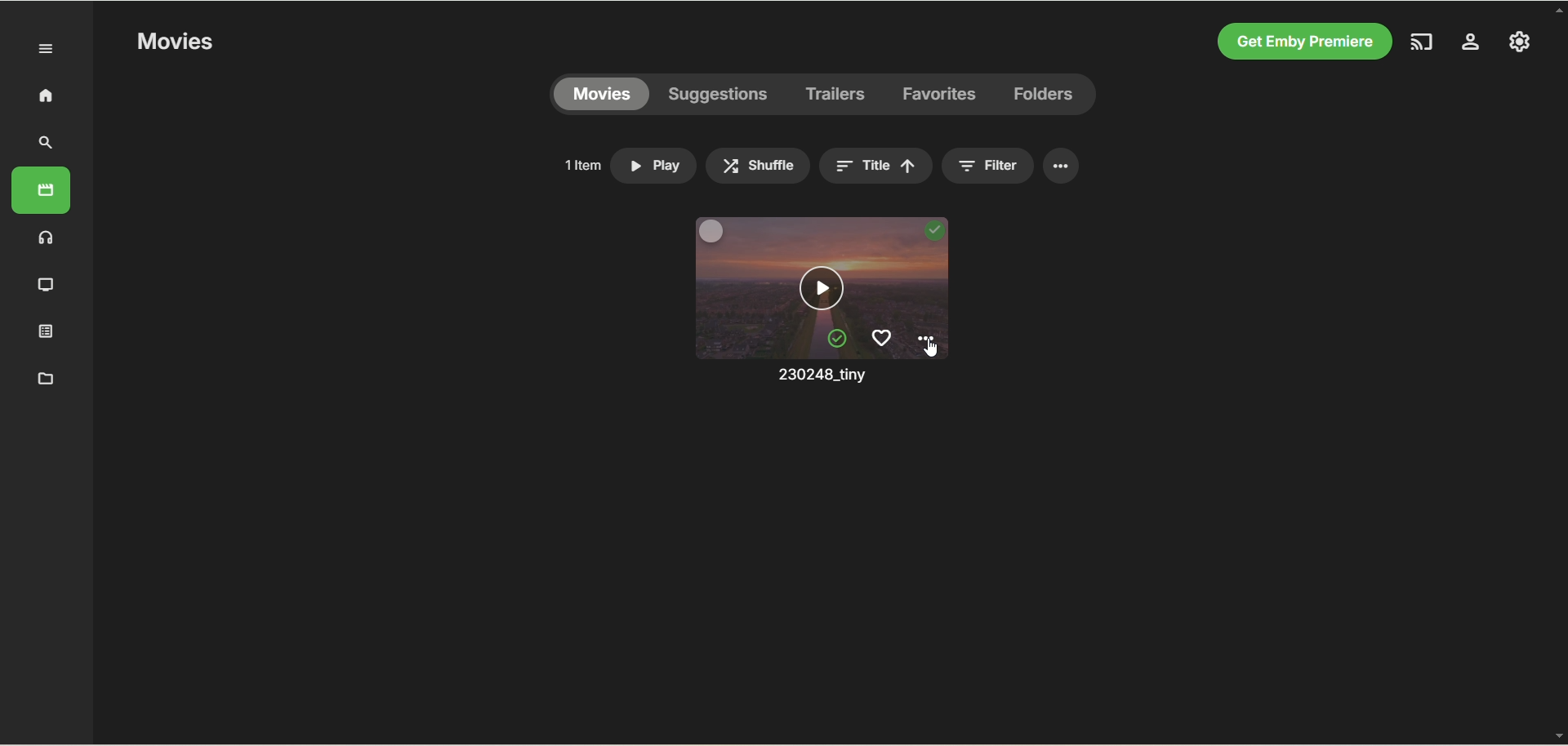 The height and width of the screenshot is (746, 1568). What do you see at coordinates (174, 42) in the screenshot?
I see `movies` at bounding box center [174, 42].